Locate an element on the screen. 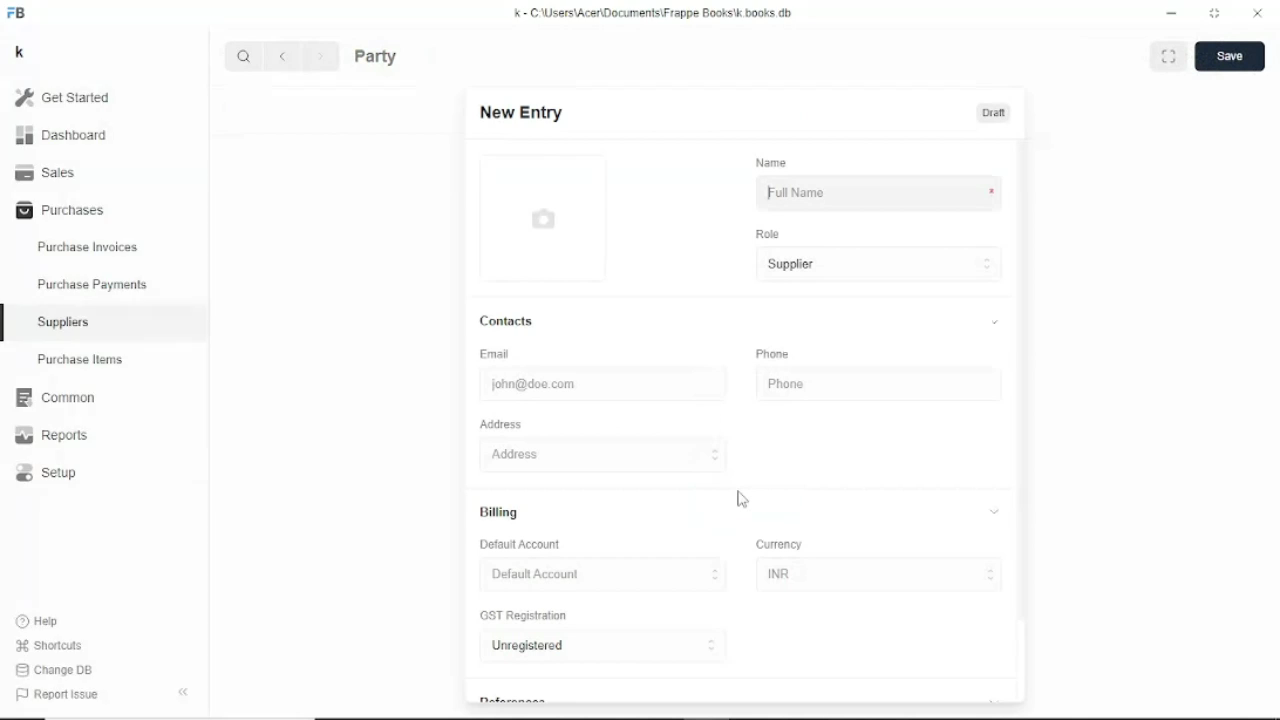 The image size is (1280, 720). Cursor is located at coordinates (768, 194).